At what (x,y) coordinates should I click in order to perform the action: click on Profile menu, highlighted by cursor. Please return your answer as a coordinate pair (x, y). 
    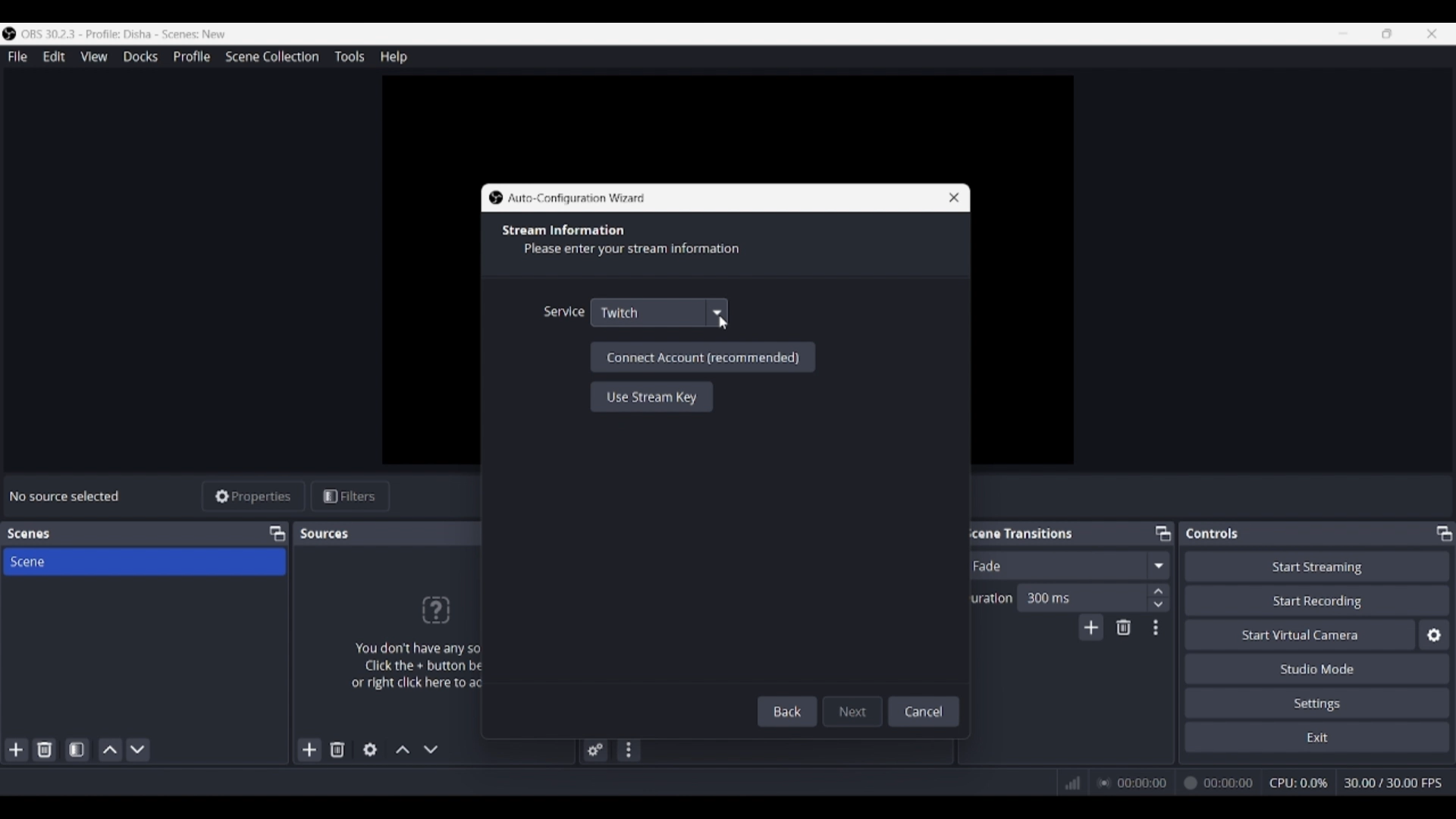
    Looking at the image, I should click on (192, 57).